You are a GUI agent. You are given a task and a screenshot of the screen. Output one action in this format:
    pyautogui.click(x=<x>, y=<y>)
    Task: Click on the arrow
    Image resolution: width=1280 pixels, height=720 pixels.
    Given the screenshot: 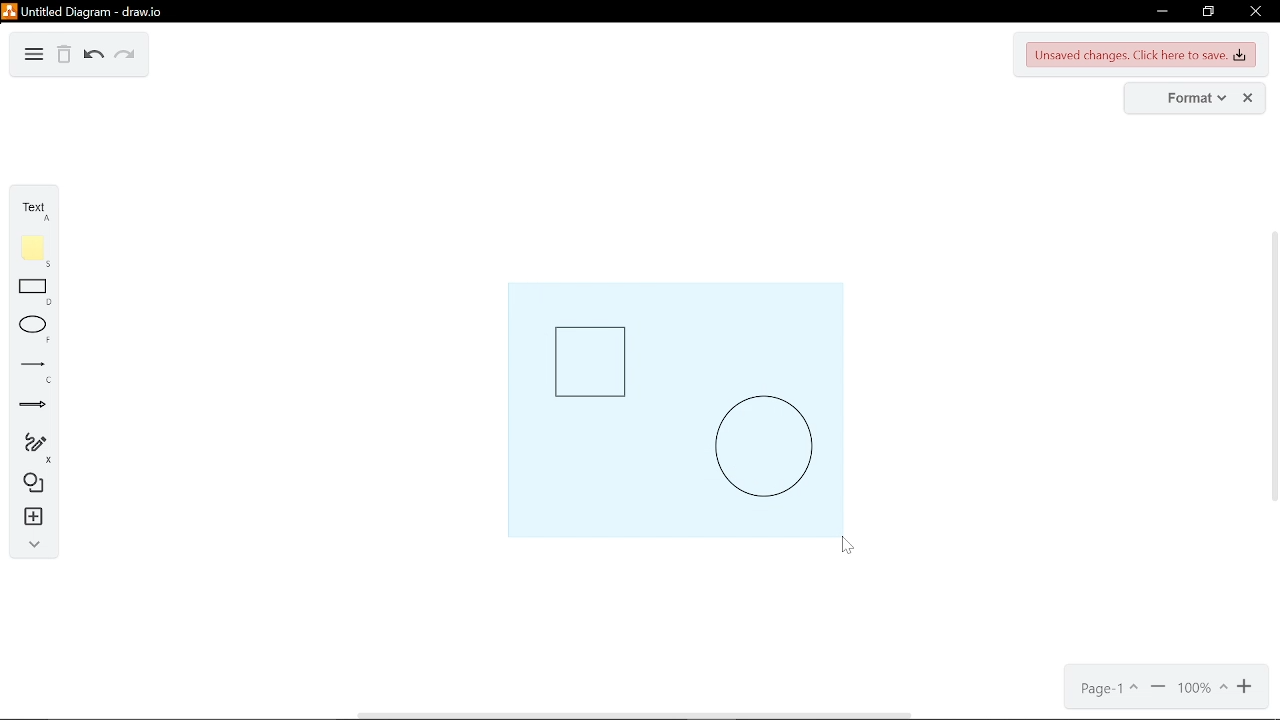 What is the action you would take?
    pyautogui.click(x=27, y=408)
    